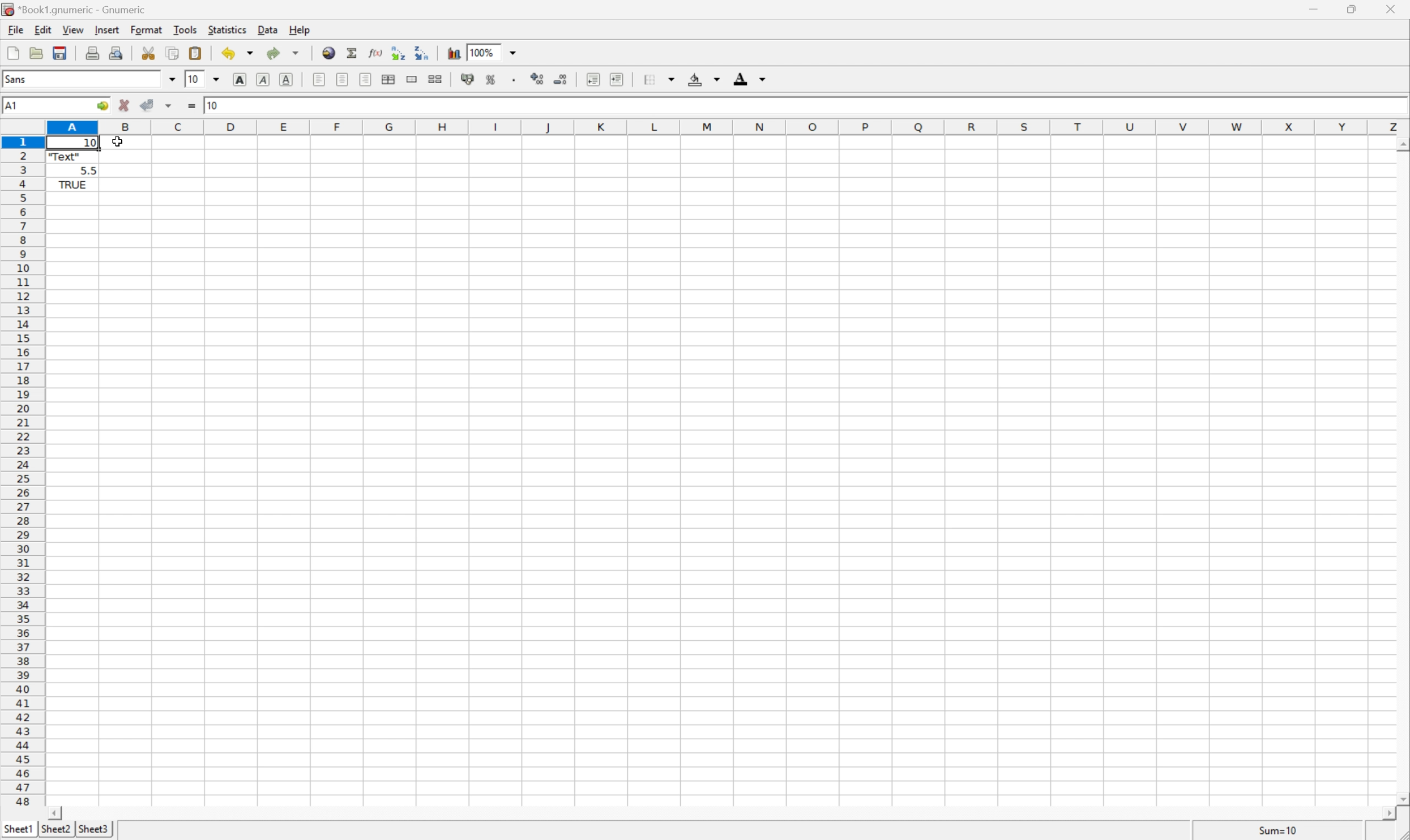 This screenshot has height=840, width=1410. Describe the element at coordinates (466, 79) in the screenshot. I see `Format selection as accounting` at that location.